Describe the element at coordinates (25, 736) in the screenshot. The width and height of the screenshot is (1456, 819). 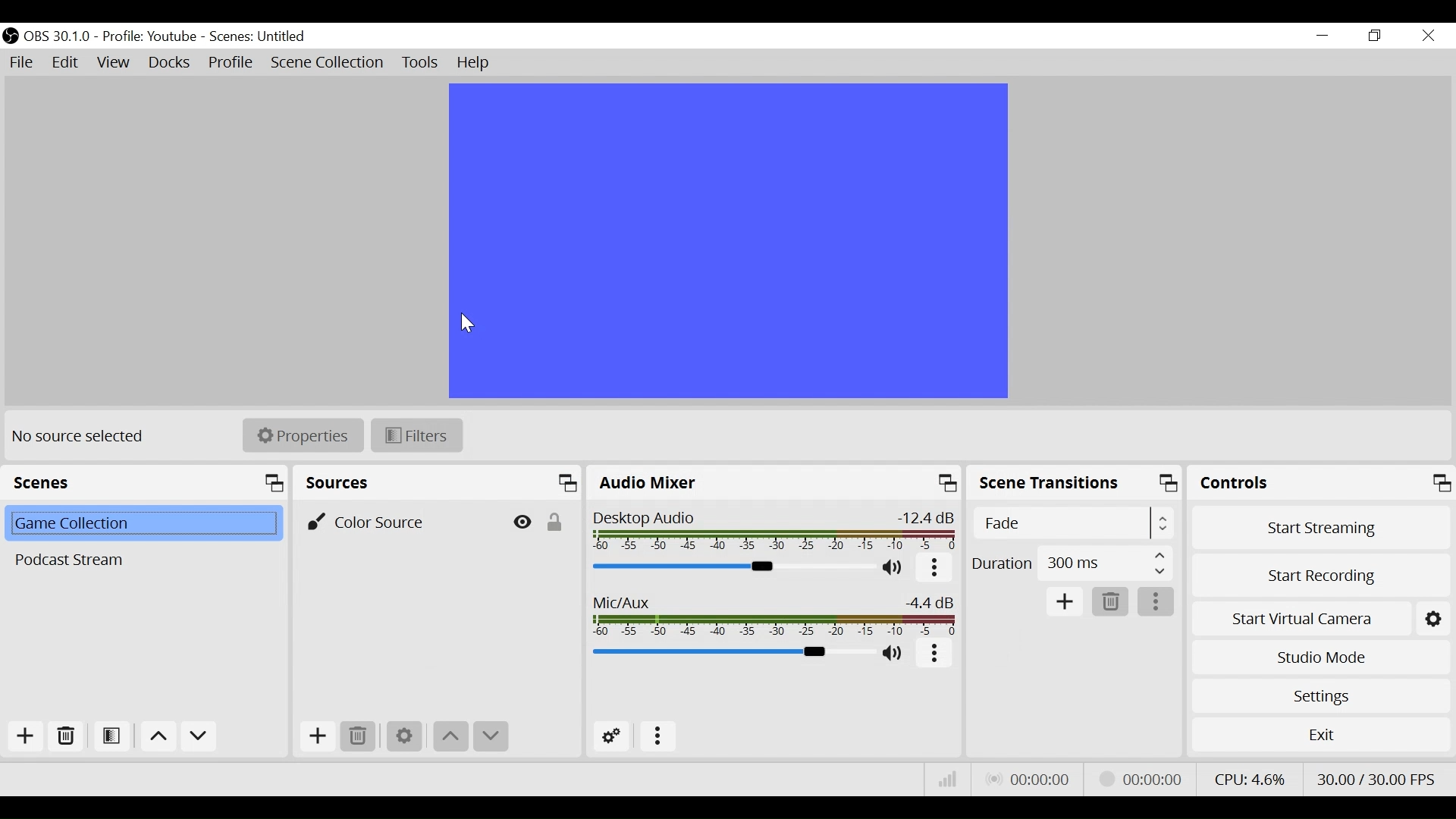
I see `Add` at that location.